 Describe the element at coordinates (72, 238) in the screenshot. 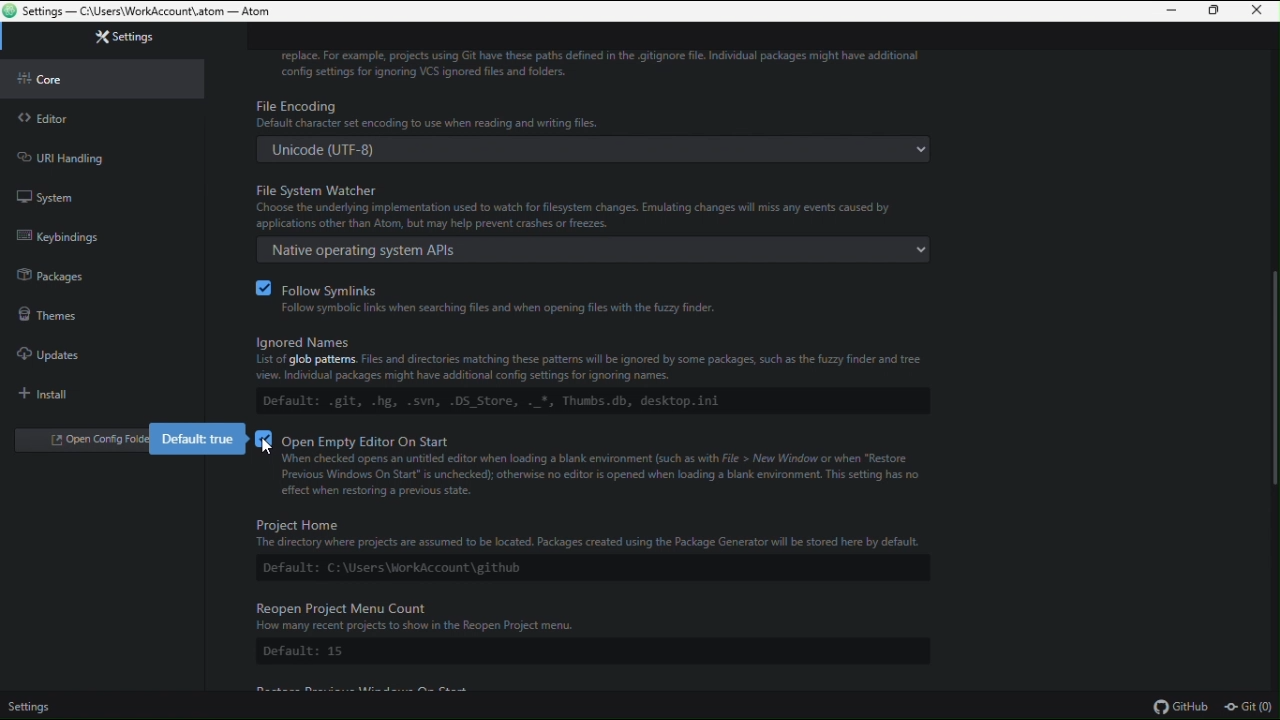

I see `keybindings` at that location.